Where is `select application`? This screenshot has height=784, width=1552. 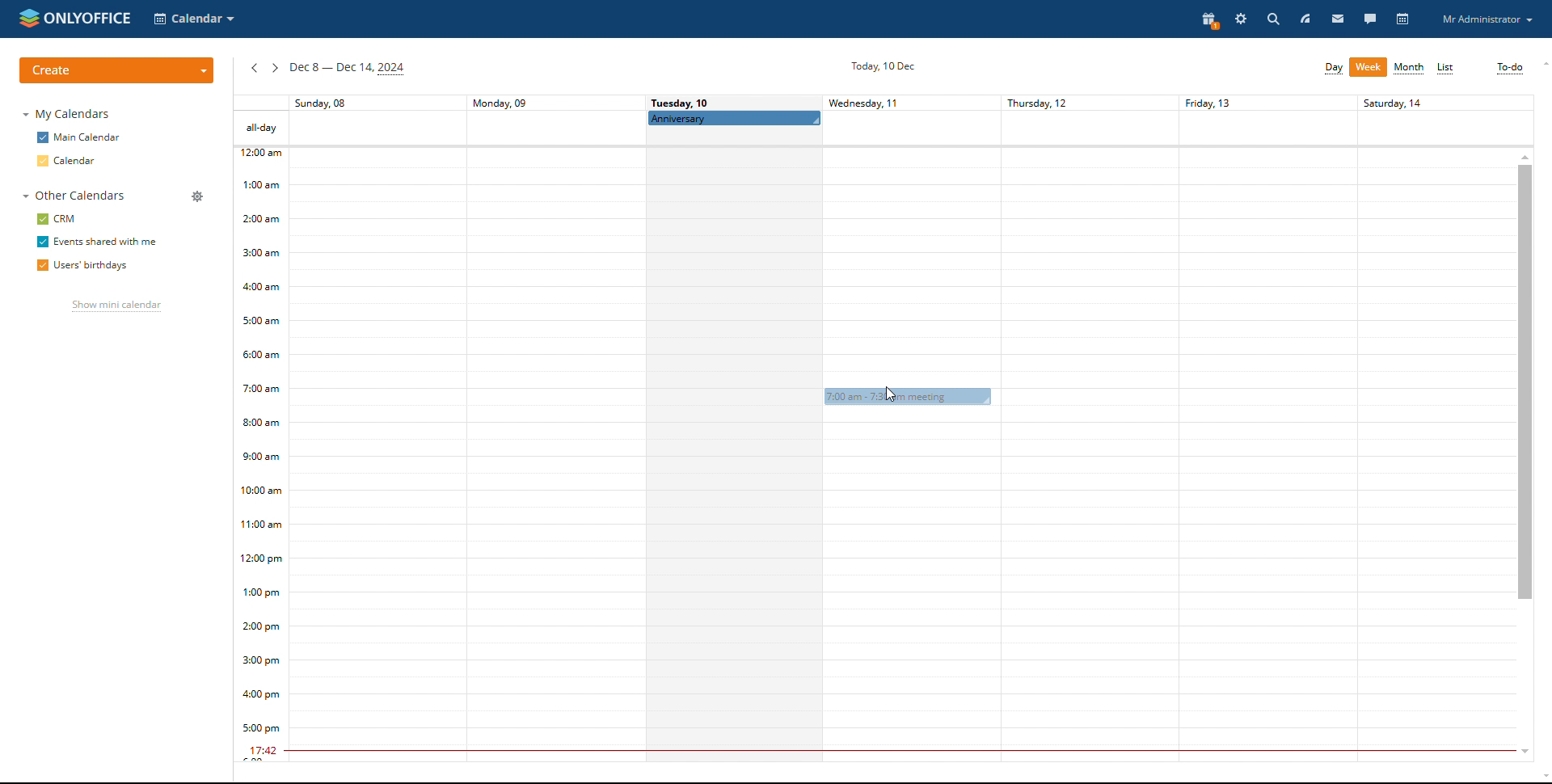
select application is located at coordinates (196, 19).